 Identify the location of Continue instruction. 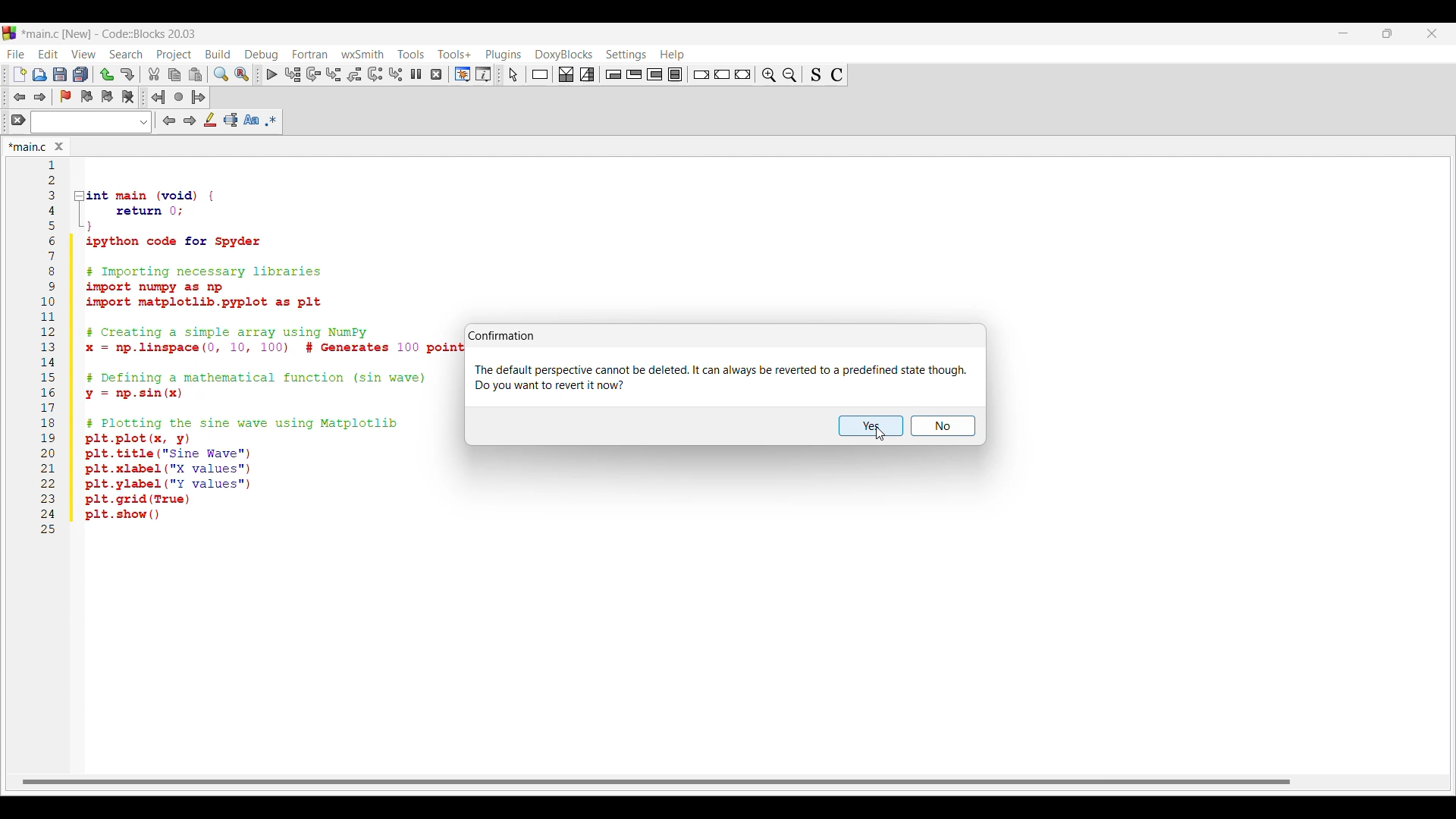
(722, 74).